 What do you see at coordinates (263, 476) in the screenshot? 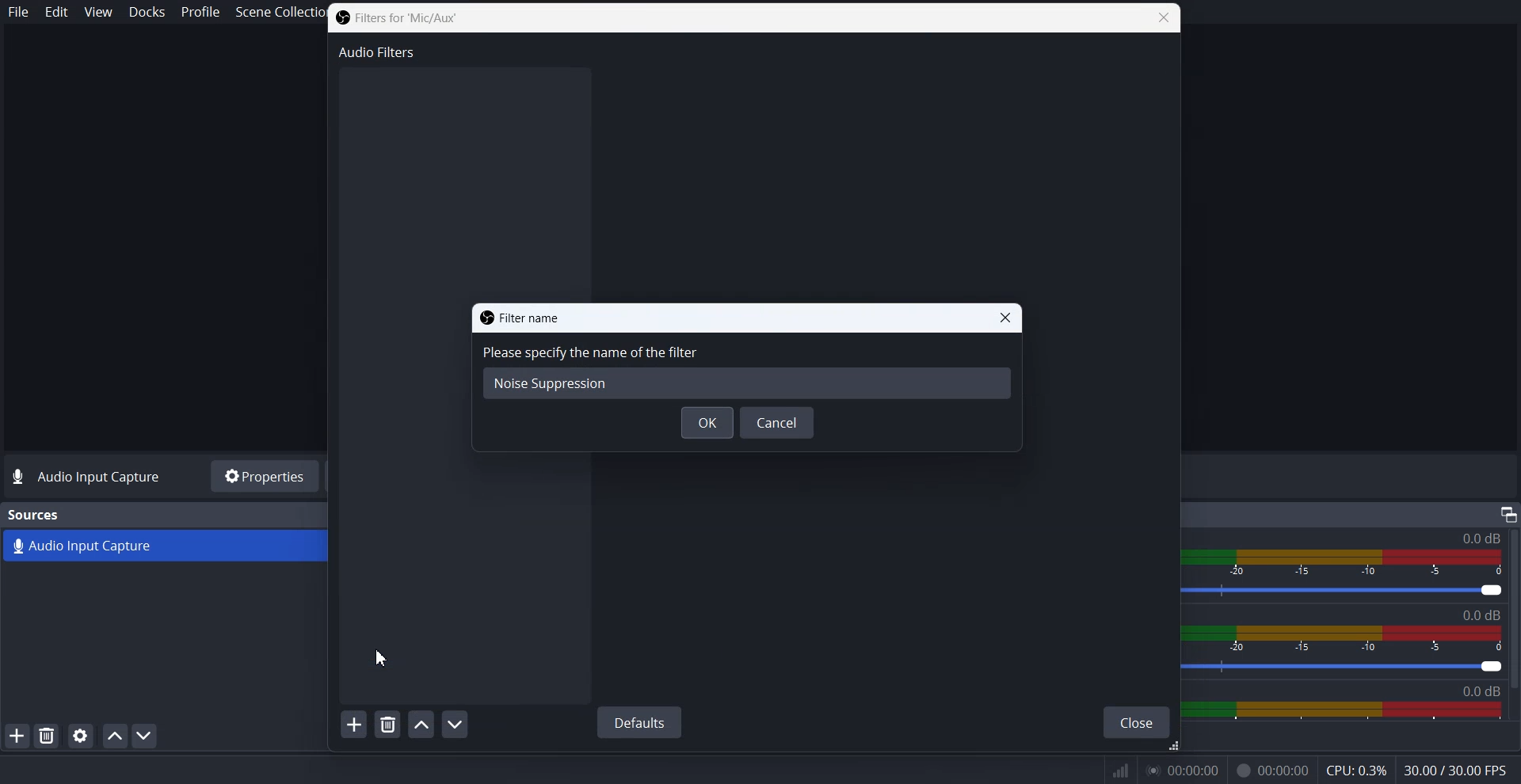
I see `Properties` at bounding box center [263, 476].